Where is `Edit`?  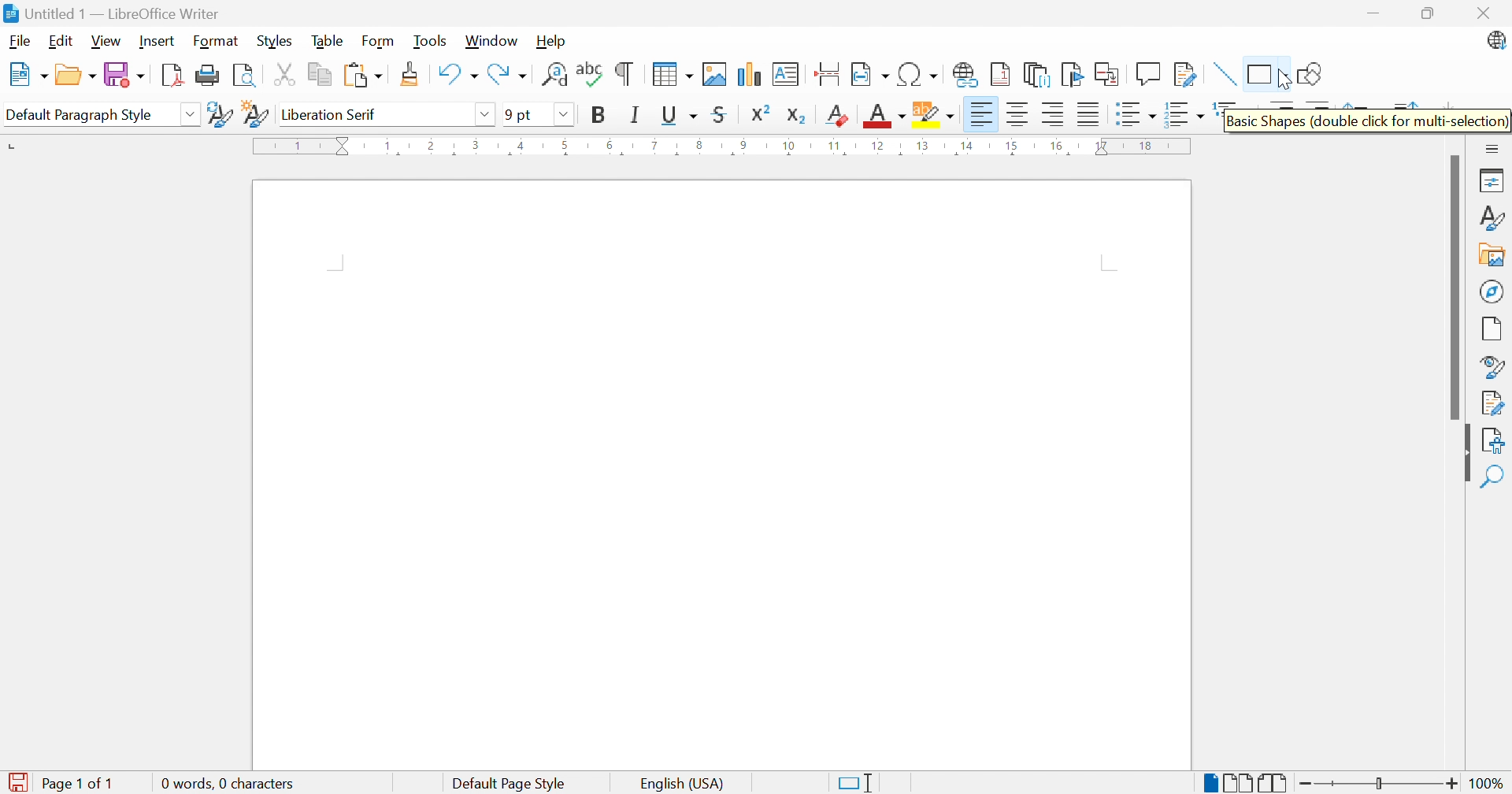
Edit is located at coordinates (61, 43).